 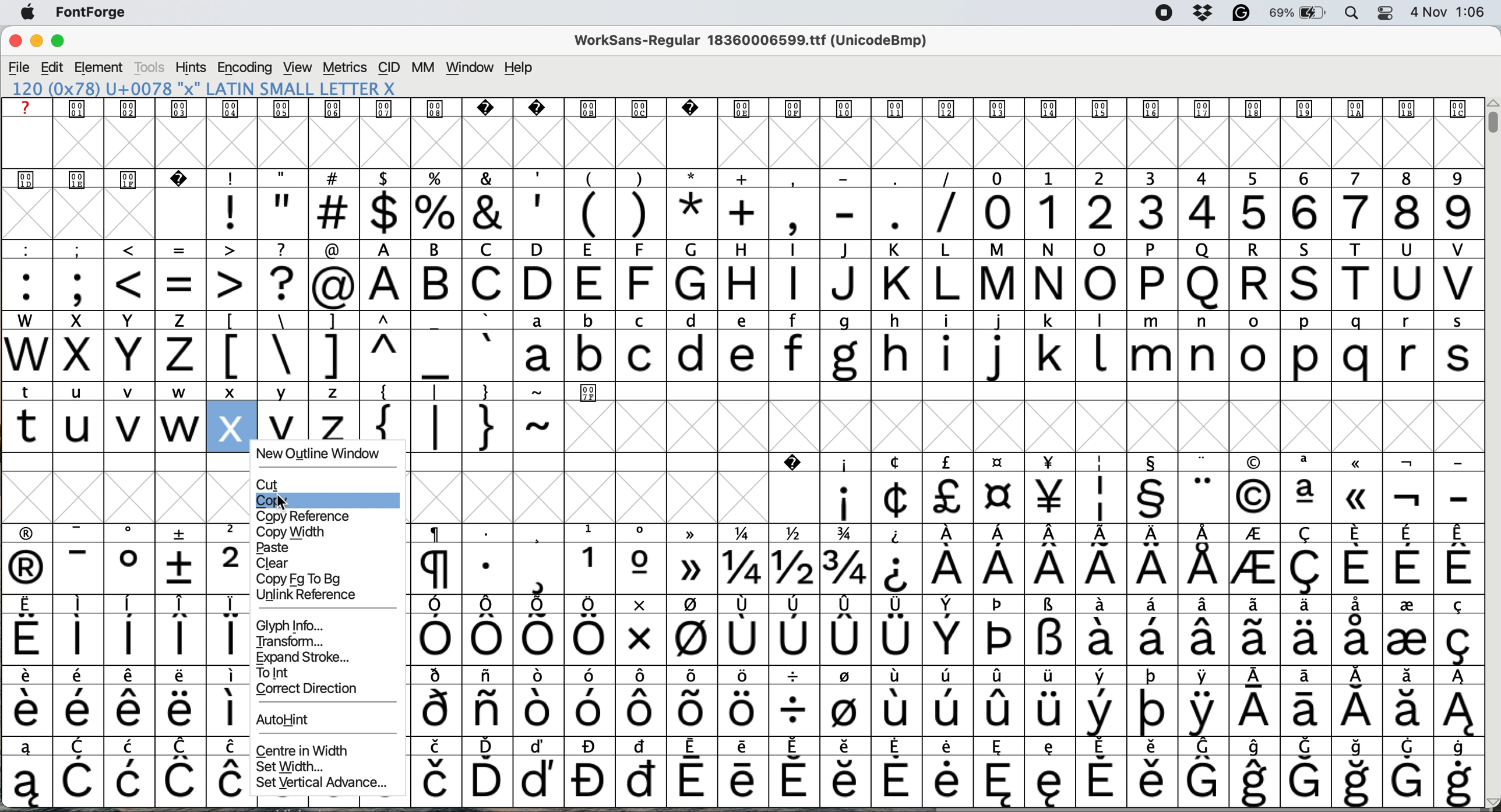 What do you see at coordinates (127, 746) in the screenshot?
I see `special characters` at bounding box center [127, 746].